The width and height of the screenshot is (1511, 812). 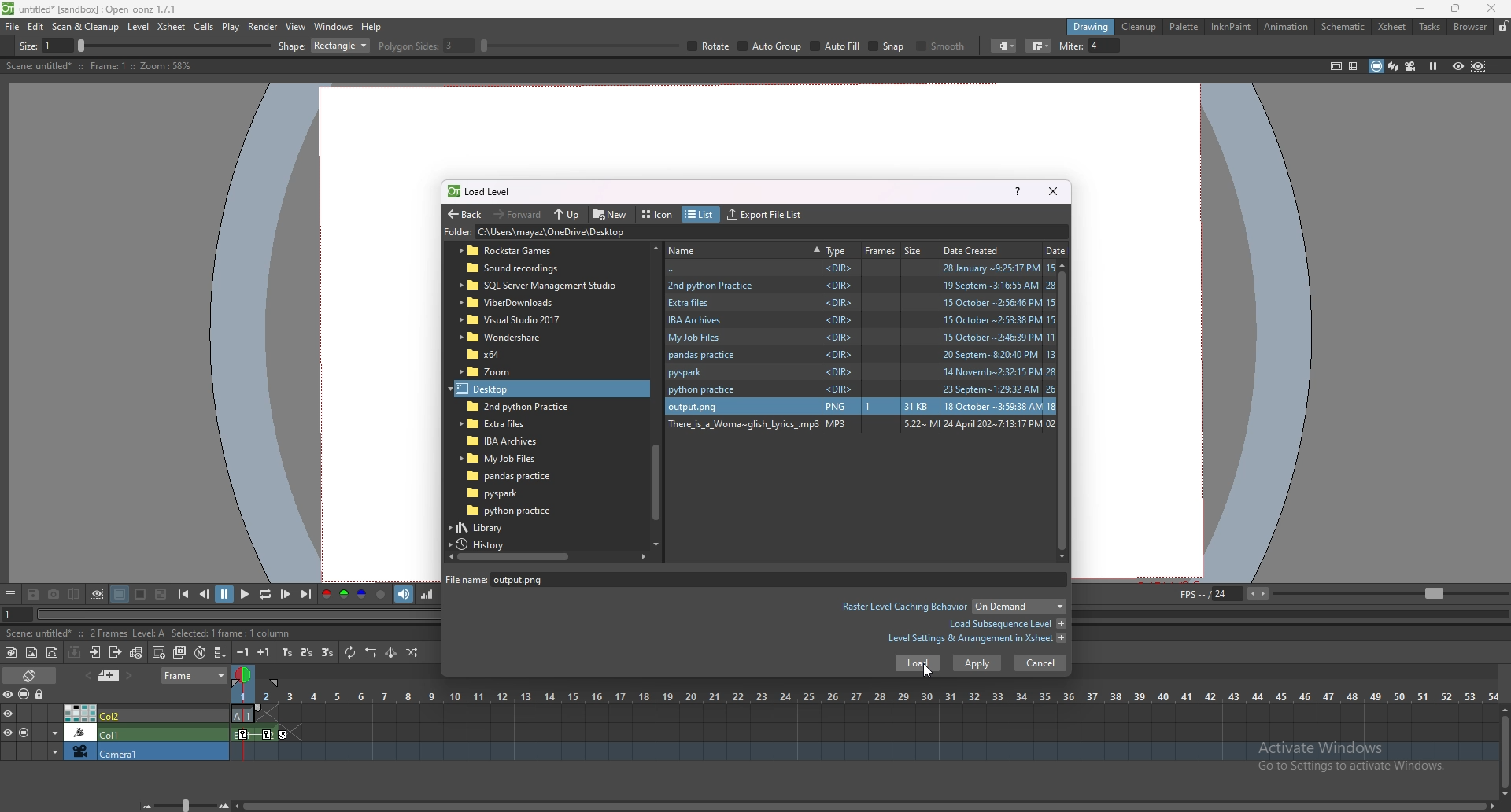 What do you see at coordinates (859, 404) in the screenshot?
I see `image` at bounding box center [859, 404].